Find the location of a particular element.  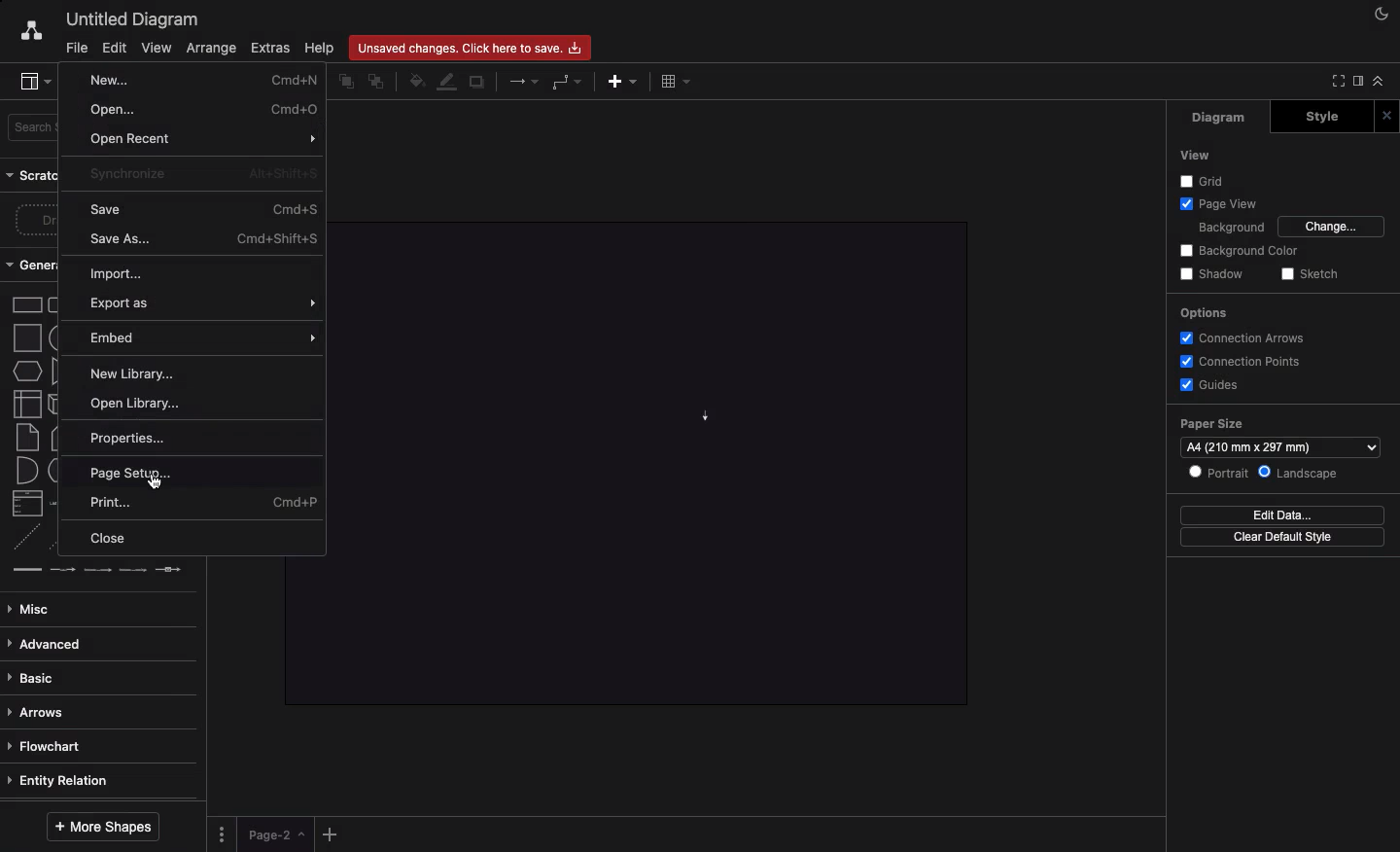

Import is located at coordinates (127, 274).